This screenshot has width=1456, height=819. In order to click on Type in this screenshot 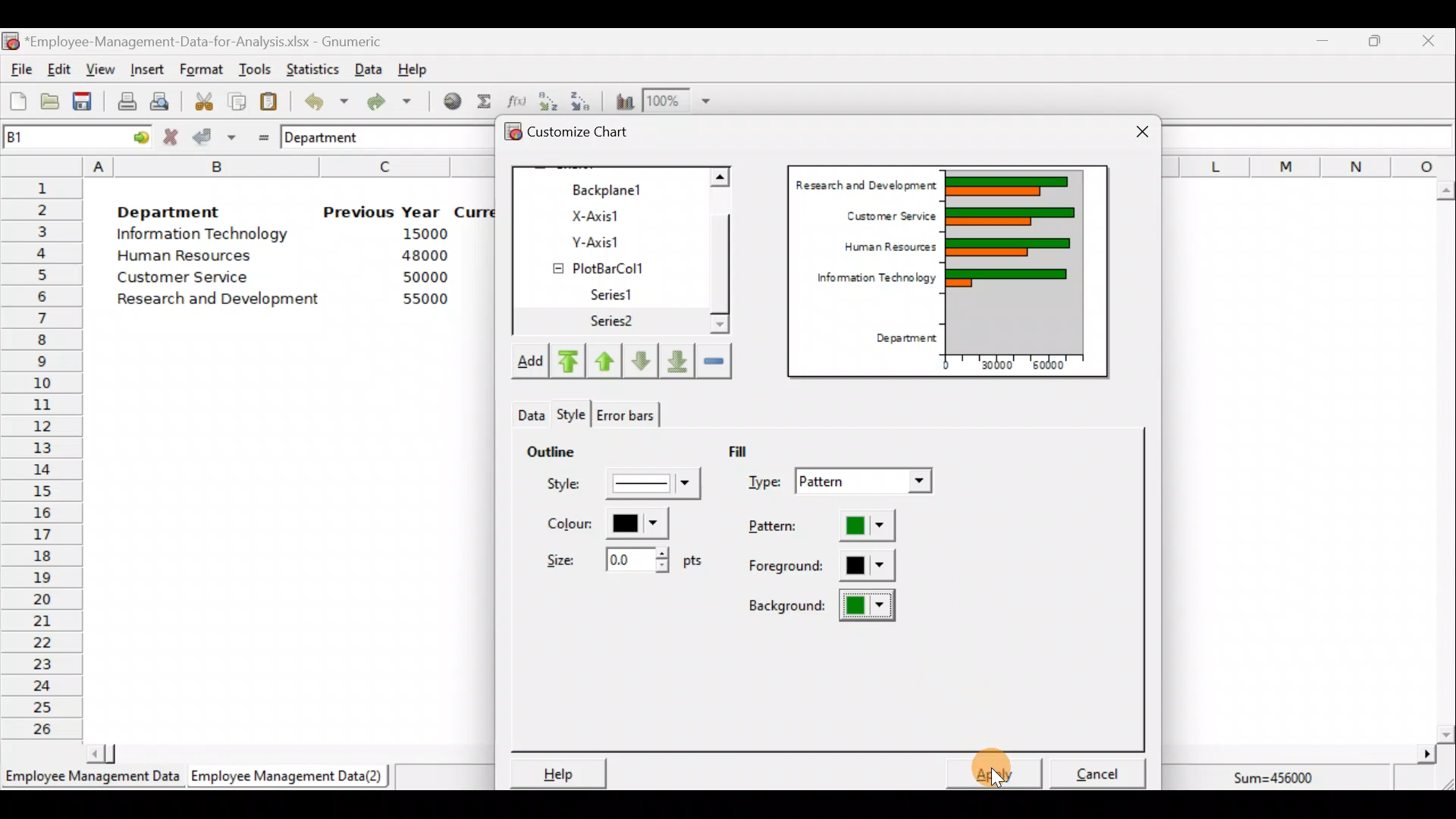, I will do `click(843, 483)`.